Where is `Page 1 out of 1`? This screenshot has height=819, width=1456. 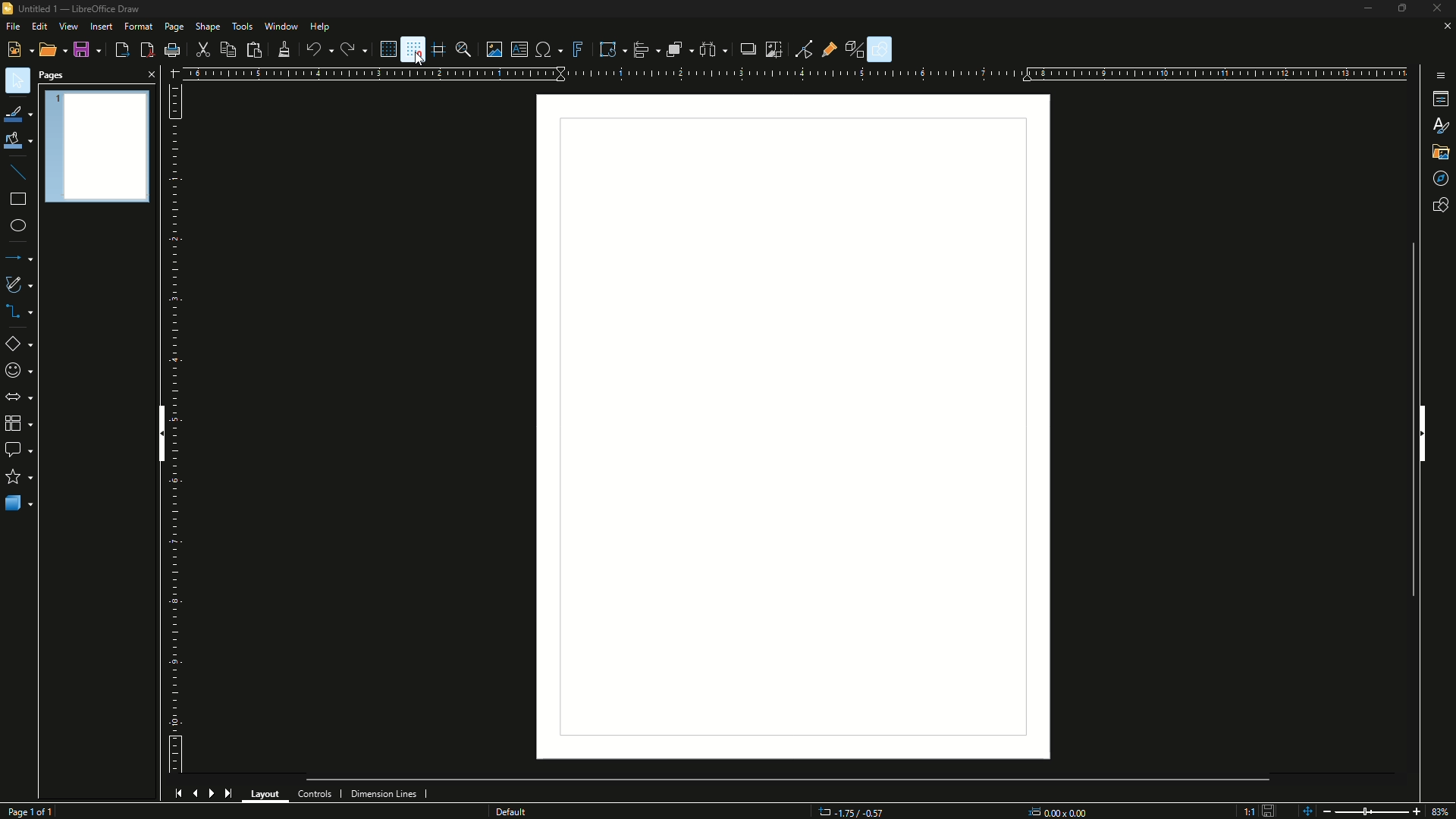 Page 1 out of 1 is located at coordinates (35, 808).